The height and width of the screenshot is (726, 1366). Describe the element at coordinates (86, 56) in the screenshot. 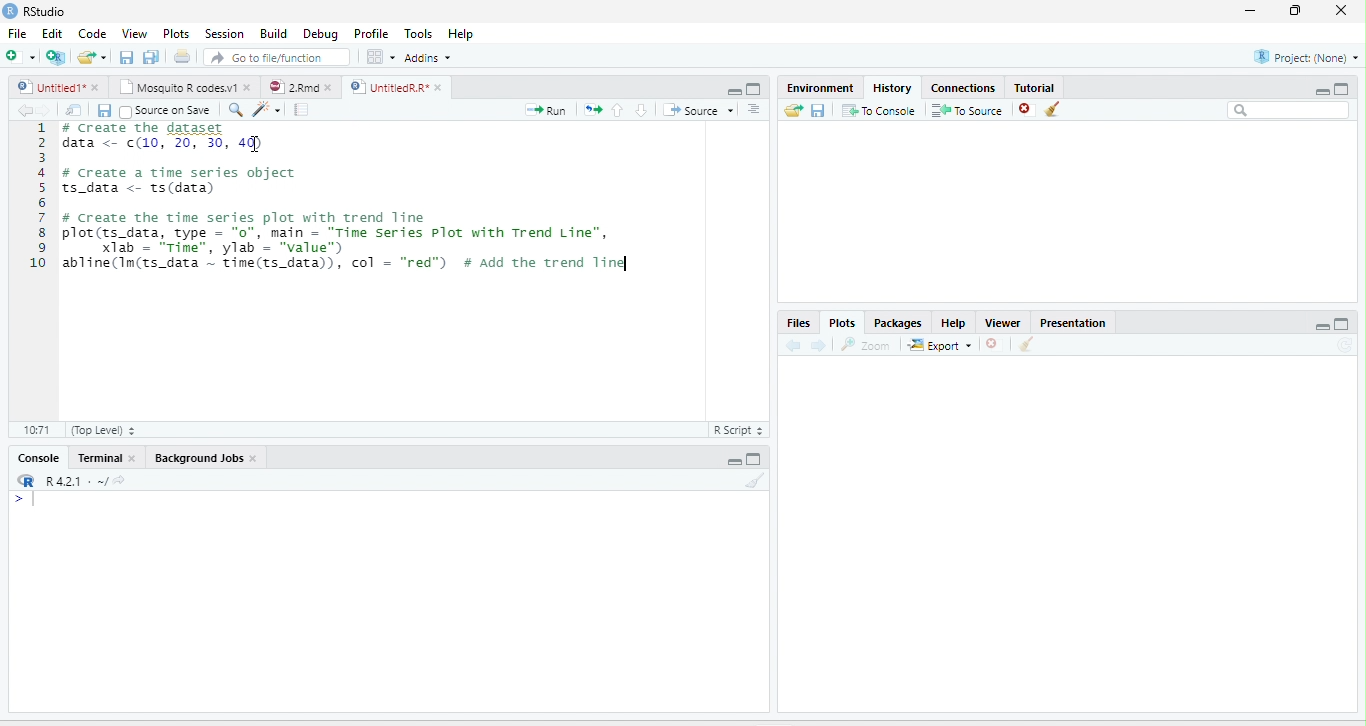

I see `Open an existing file` at that location.